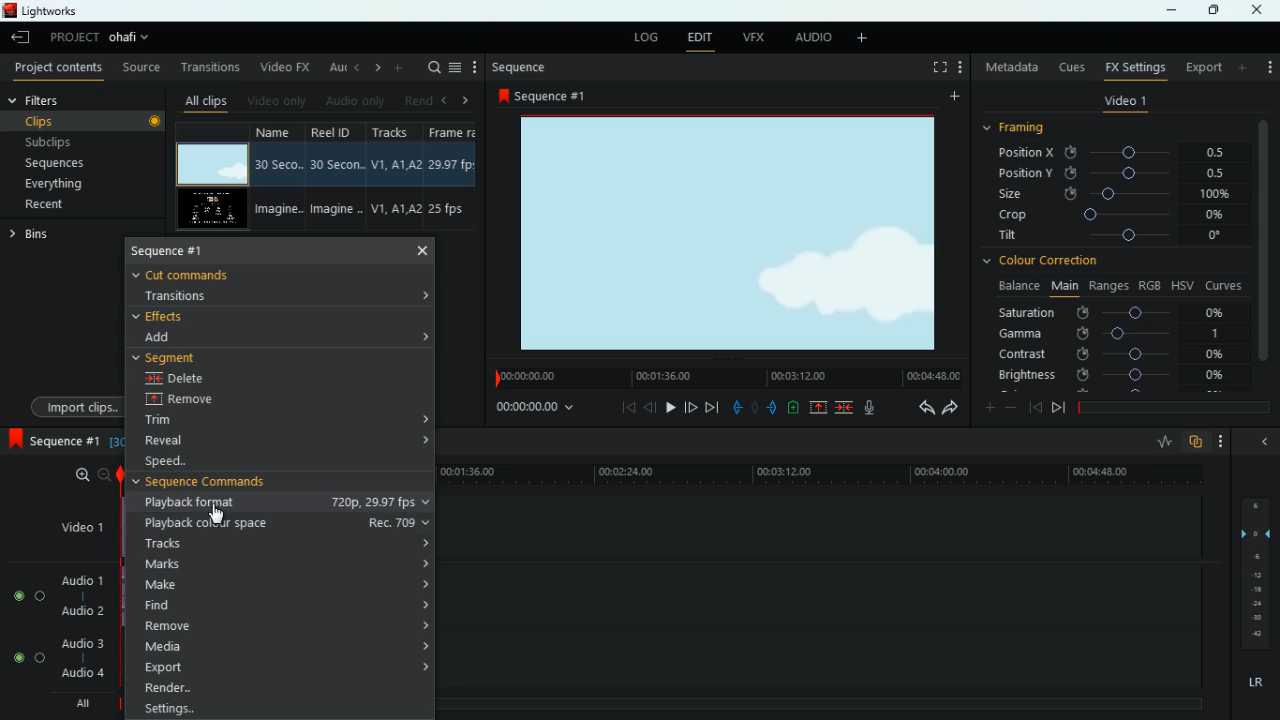  Describe the element at coordinates (186, 379) in the screenshot. I see `delete` at that location.